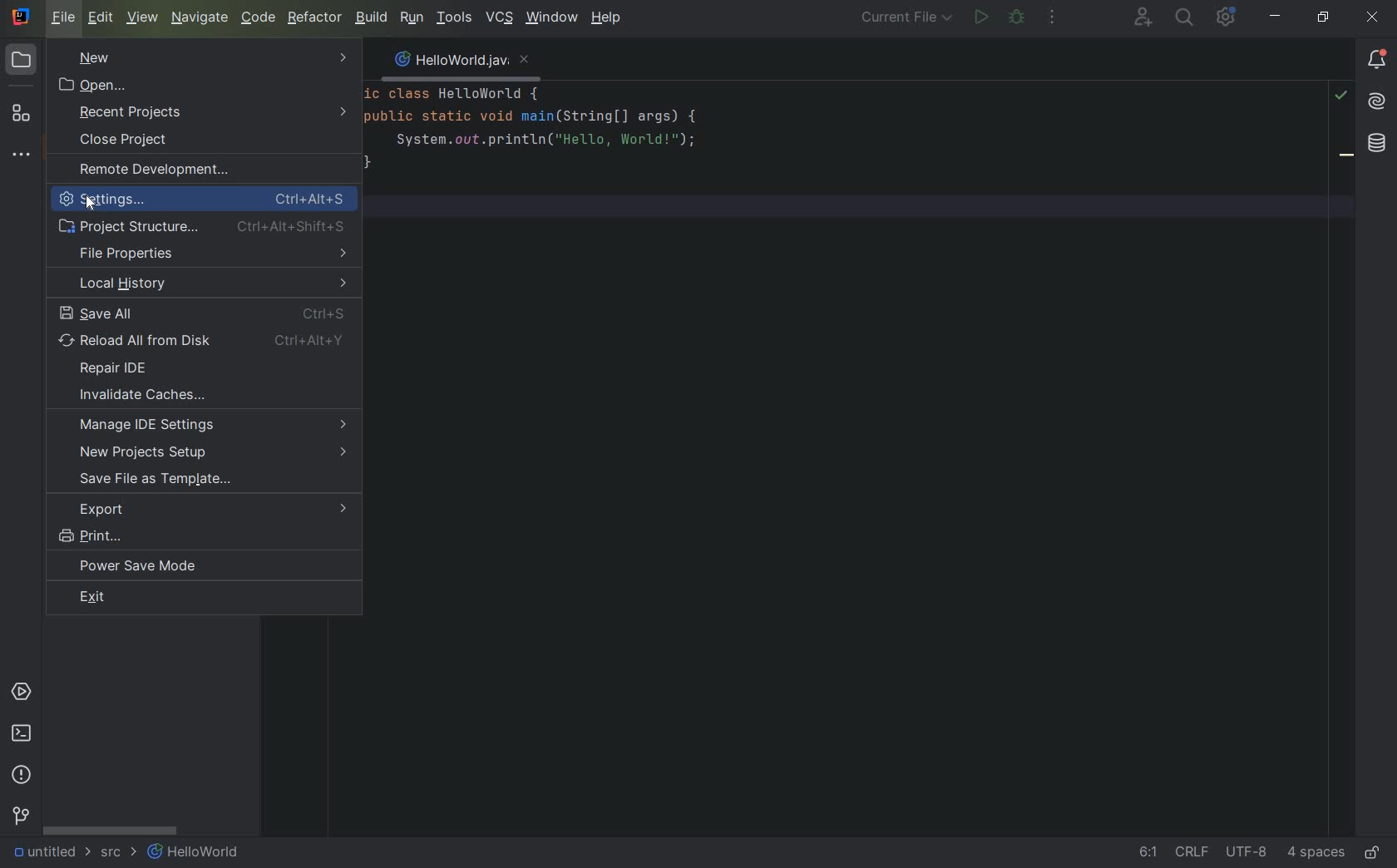 Image resolution: width=1397 pixels, height=868 pixels. Describe the element at coordinates (197, 567) in the screenshot. I see `power save mode` at that location.